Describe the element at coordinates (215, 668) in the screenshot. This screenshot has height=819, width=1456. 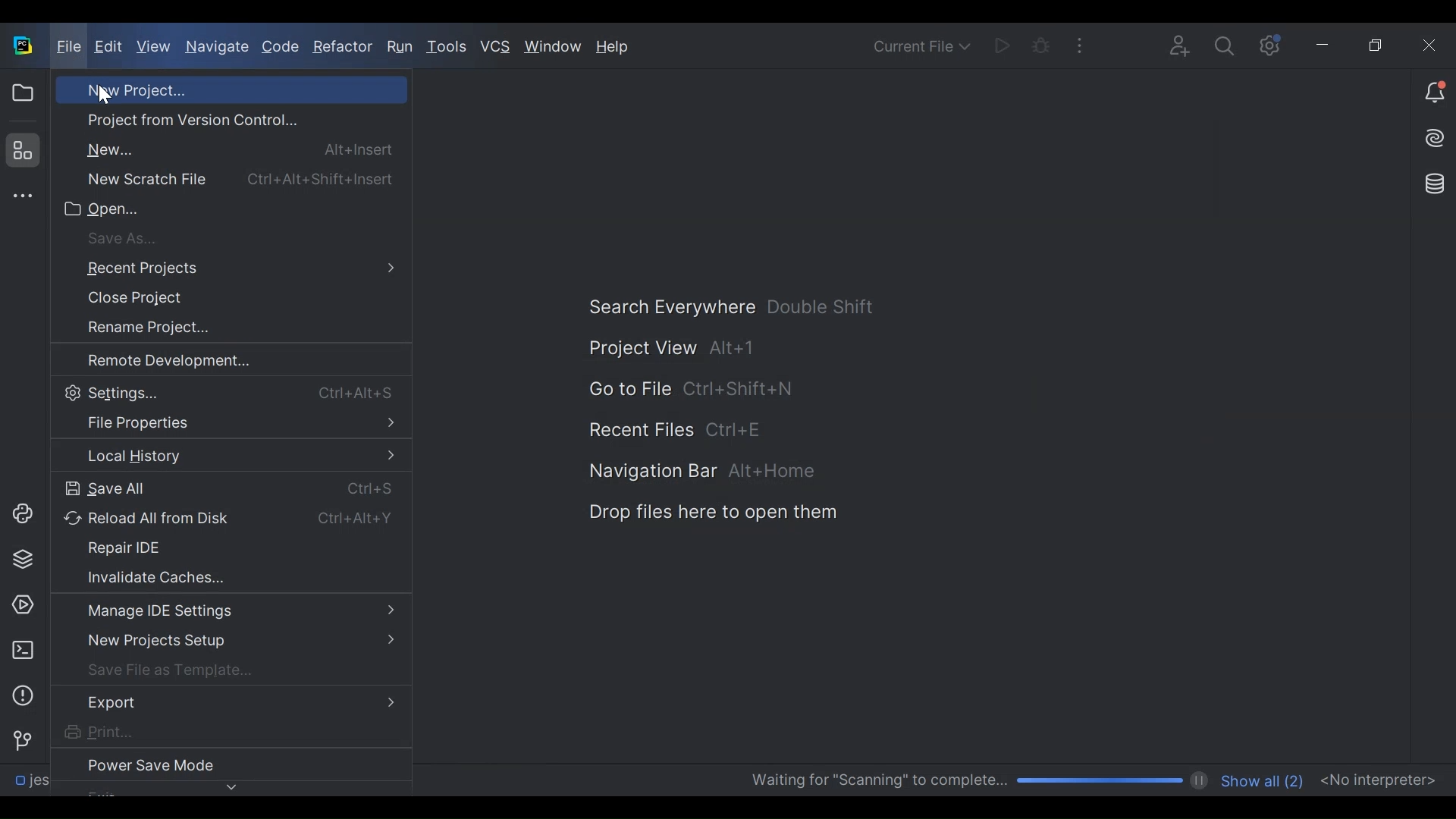
I see `Save File as Template` at that location.